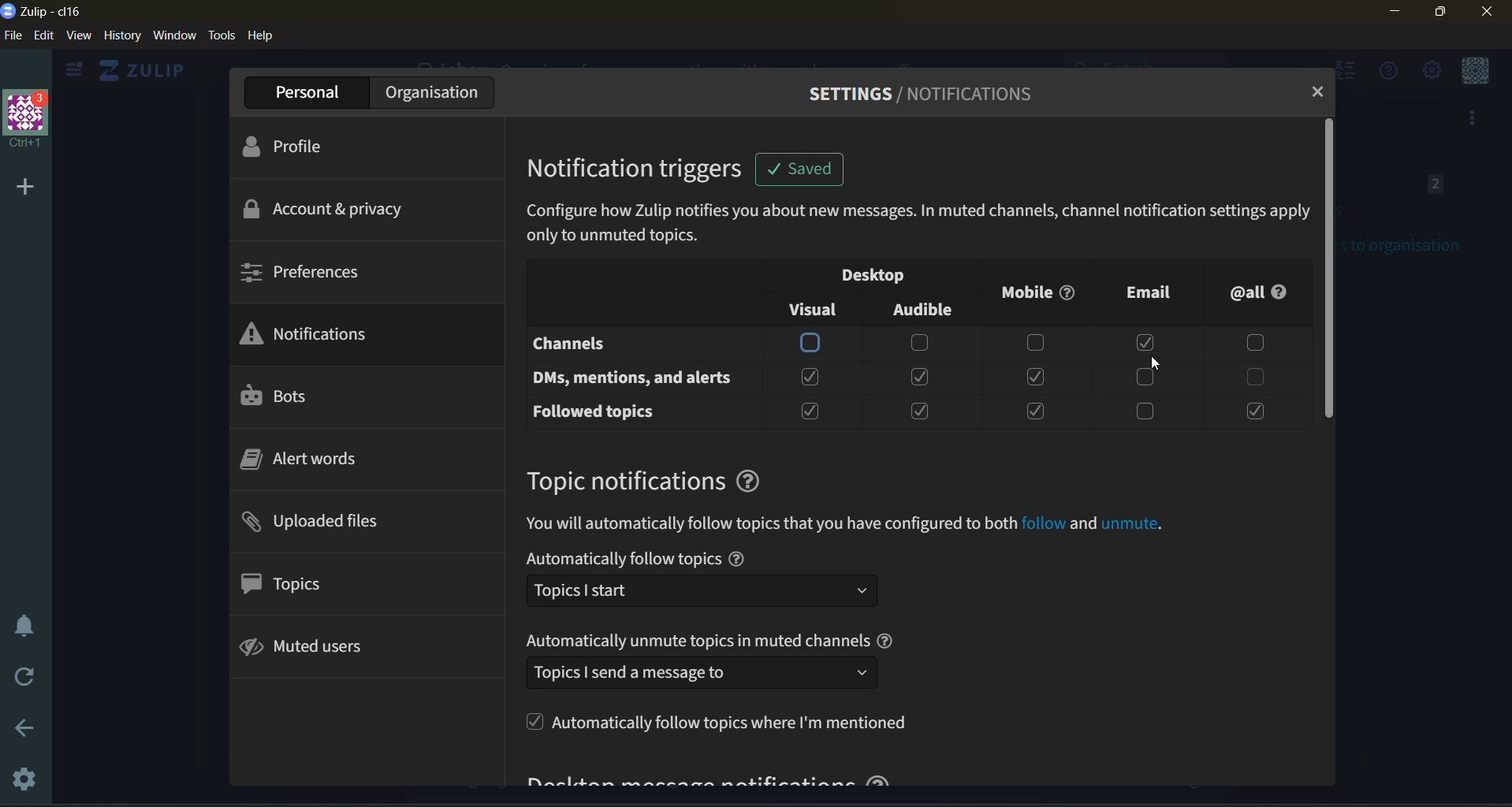 The image size is (1512, 807). I want to click on checkbox, so click(1253, 412).